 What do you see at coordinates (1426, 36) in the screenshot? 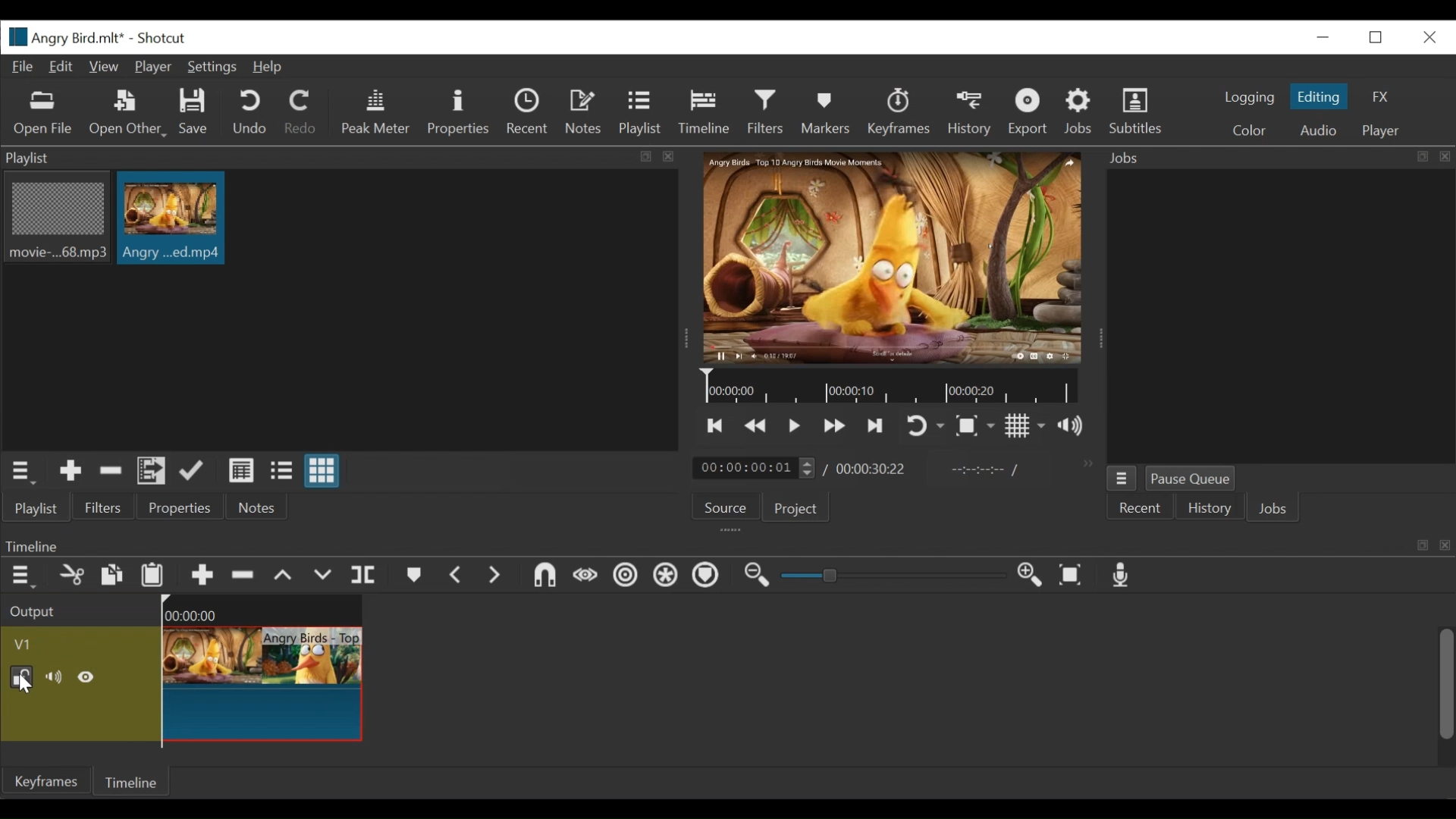
I see `Close` at bounding box center [1426, 36].